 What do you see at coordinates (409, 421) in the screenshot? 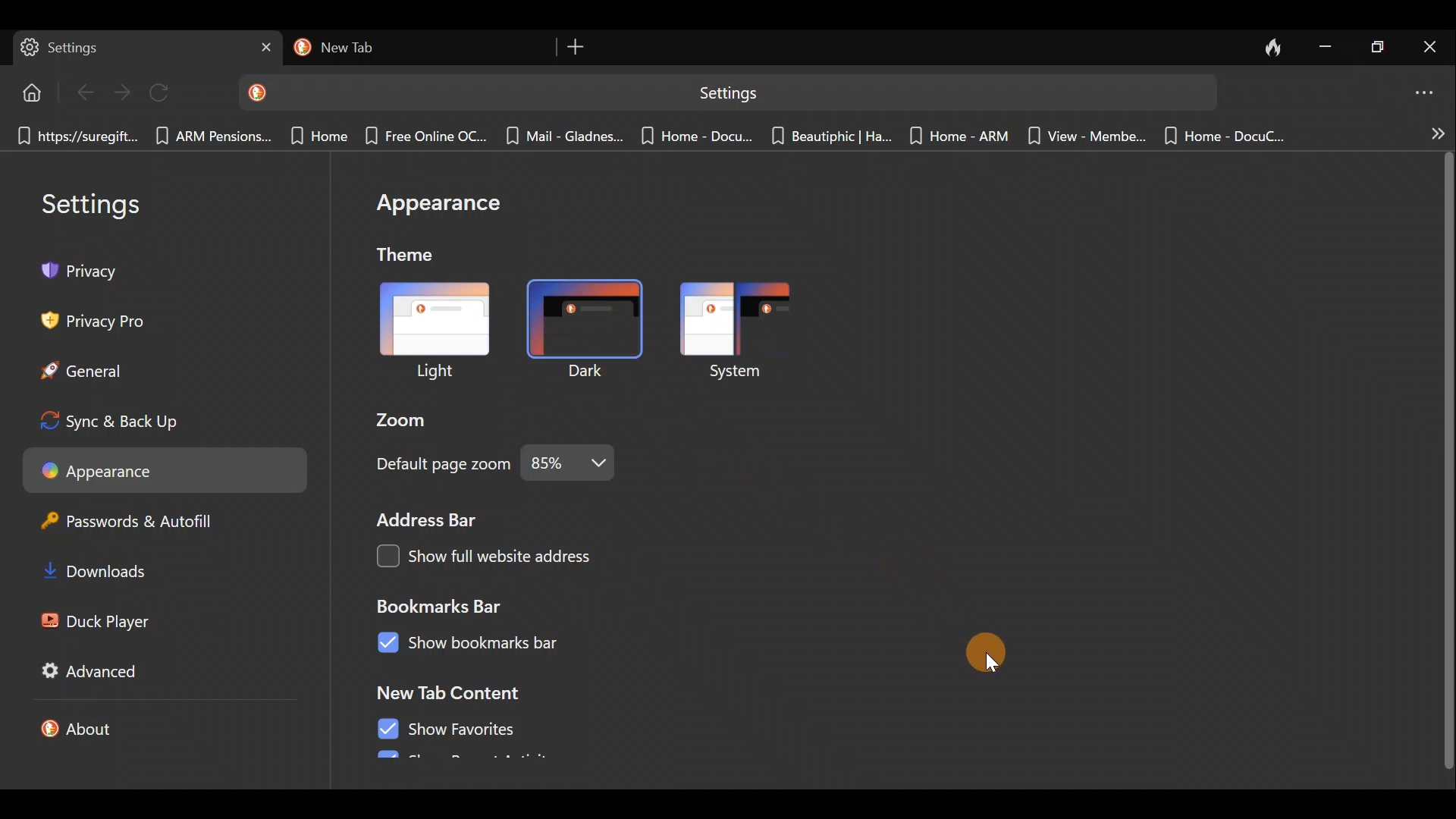
I see `Zoom` at bounding box center [409, 421].